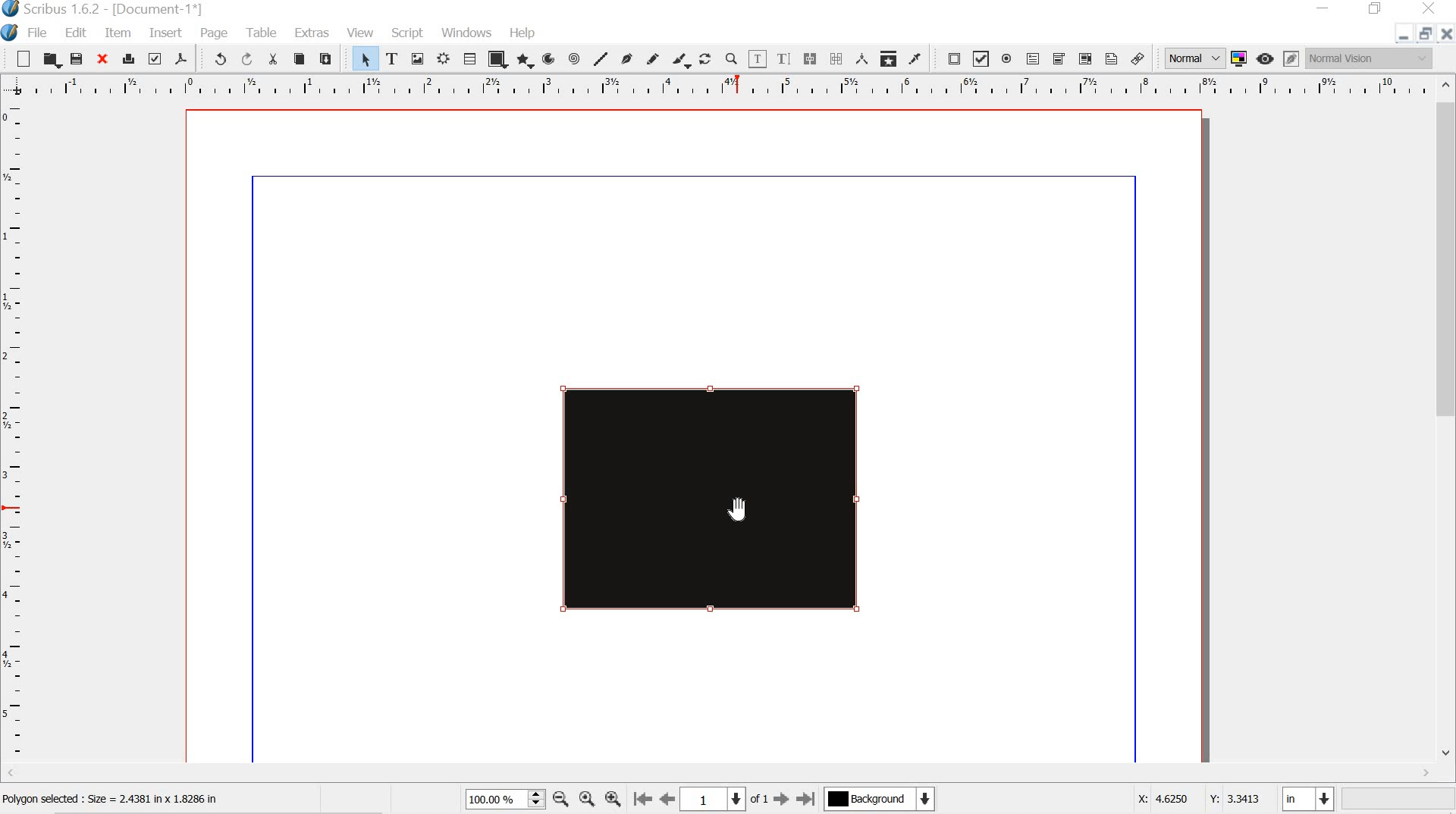  What do you see at coordinates (409, 33) in the screenshot?
I see `script` at bounding box center [409, 33].